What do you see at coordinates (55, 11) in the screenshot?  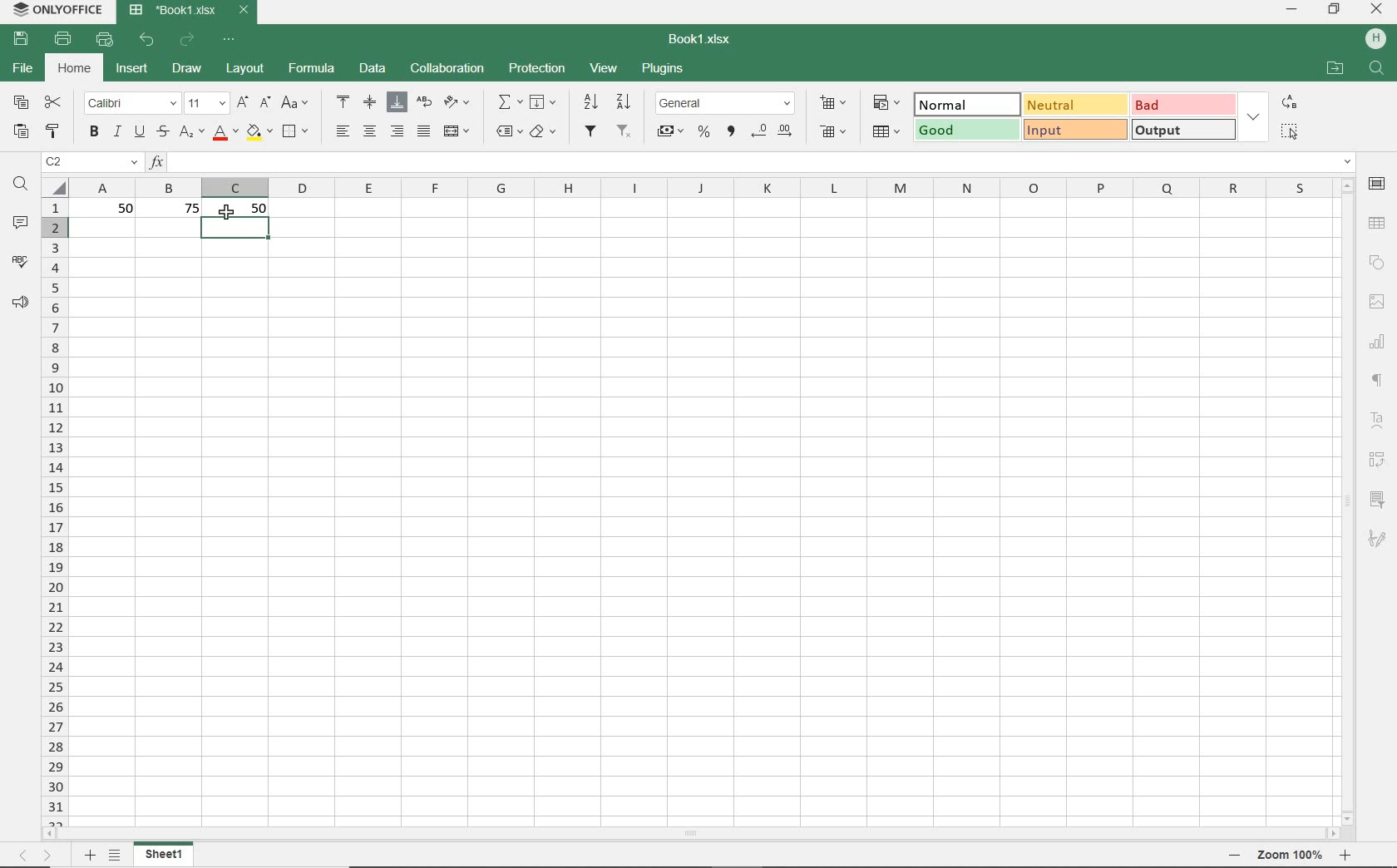 I see `system name` at bounding box center [55, 11].